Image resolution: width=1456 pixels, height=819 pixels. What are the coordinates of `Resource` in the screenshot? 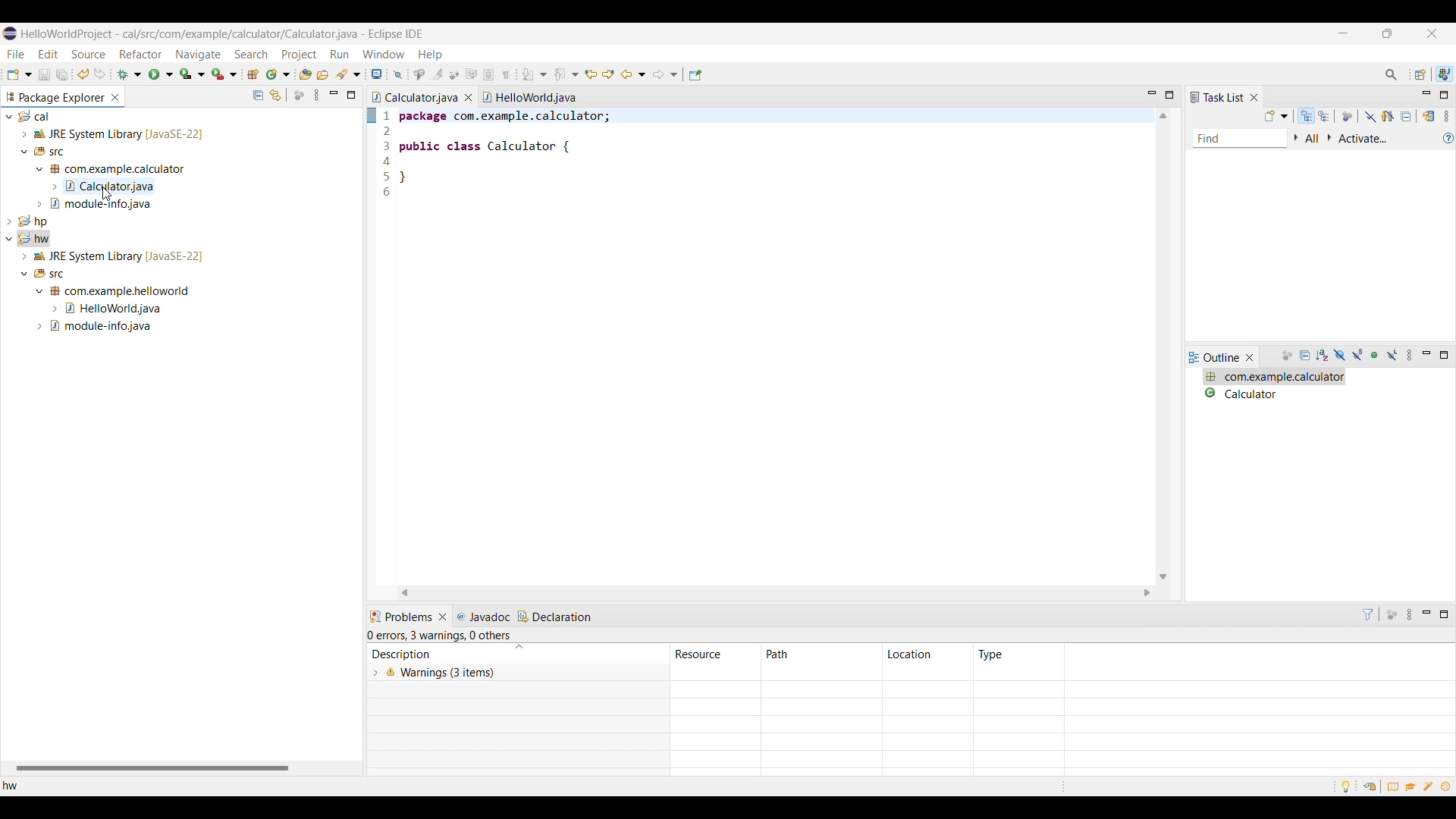 It's located at (716, 654).